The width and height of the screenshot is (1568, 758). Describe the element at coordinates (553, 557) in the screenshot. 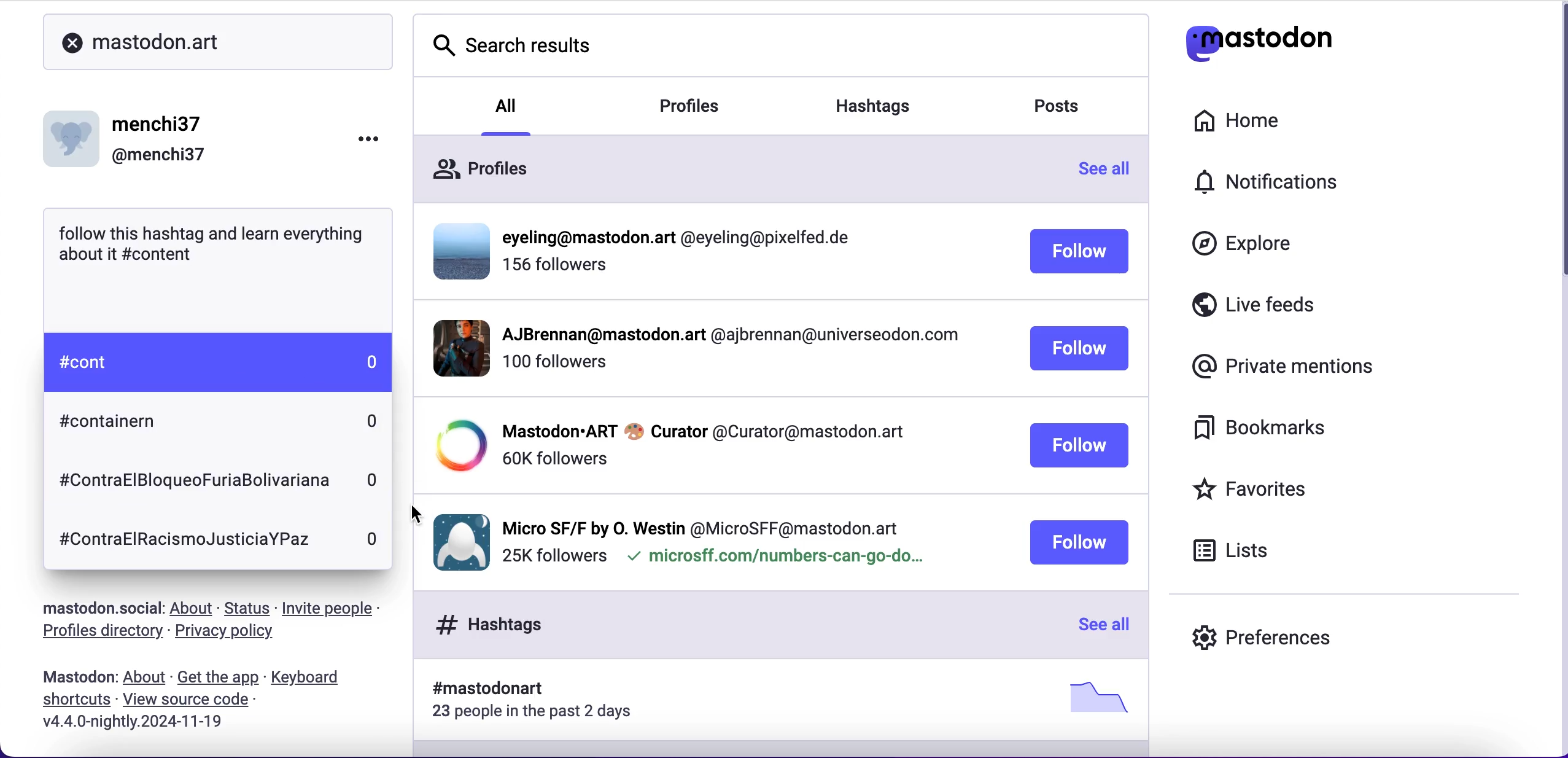

I see `followers` at that location.